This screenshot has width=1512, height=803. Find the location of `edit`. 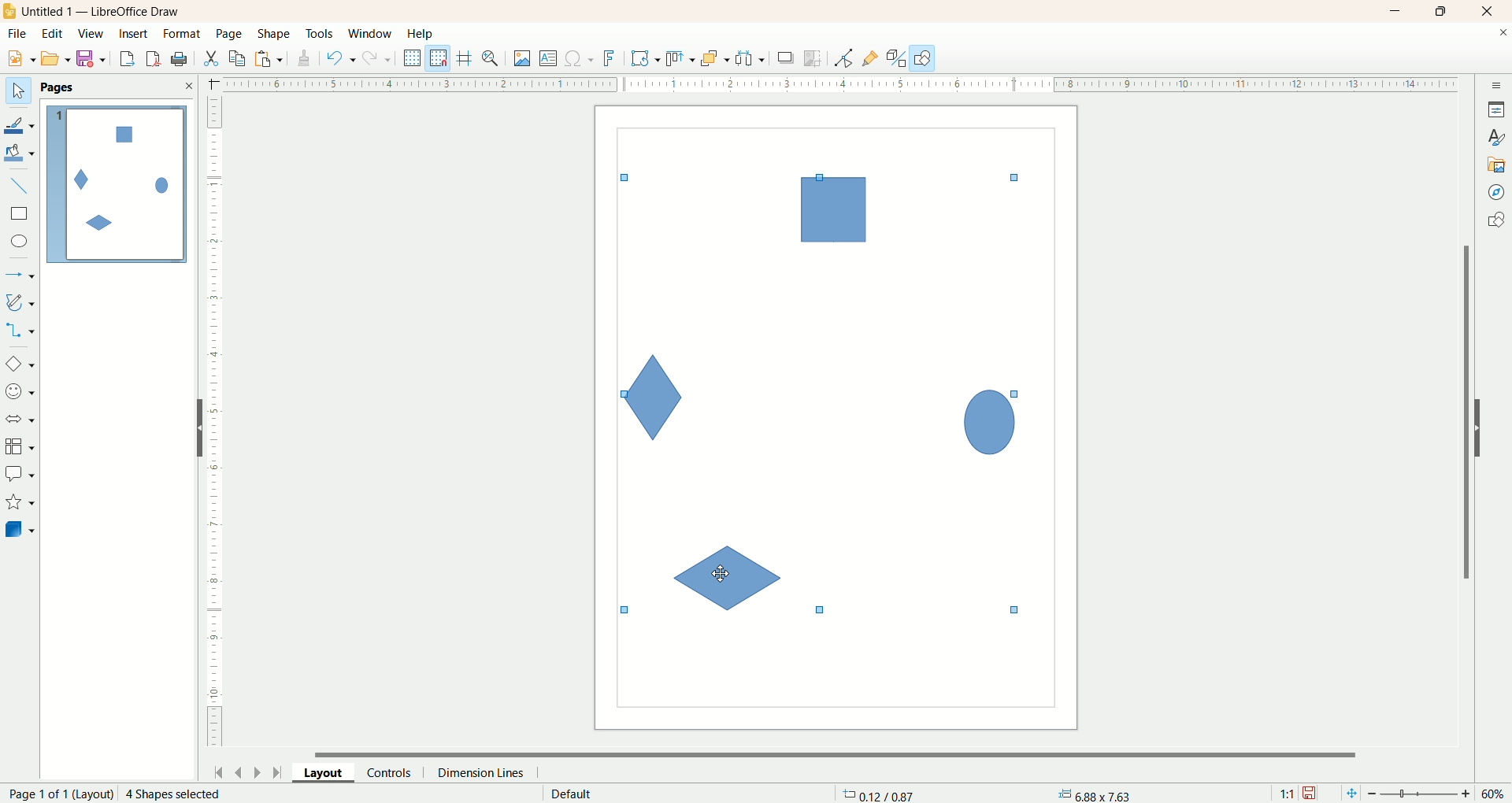

edit is located at coordinates (53, 35).